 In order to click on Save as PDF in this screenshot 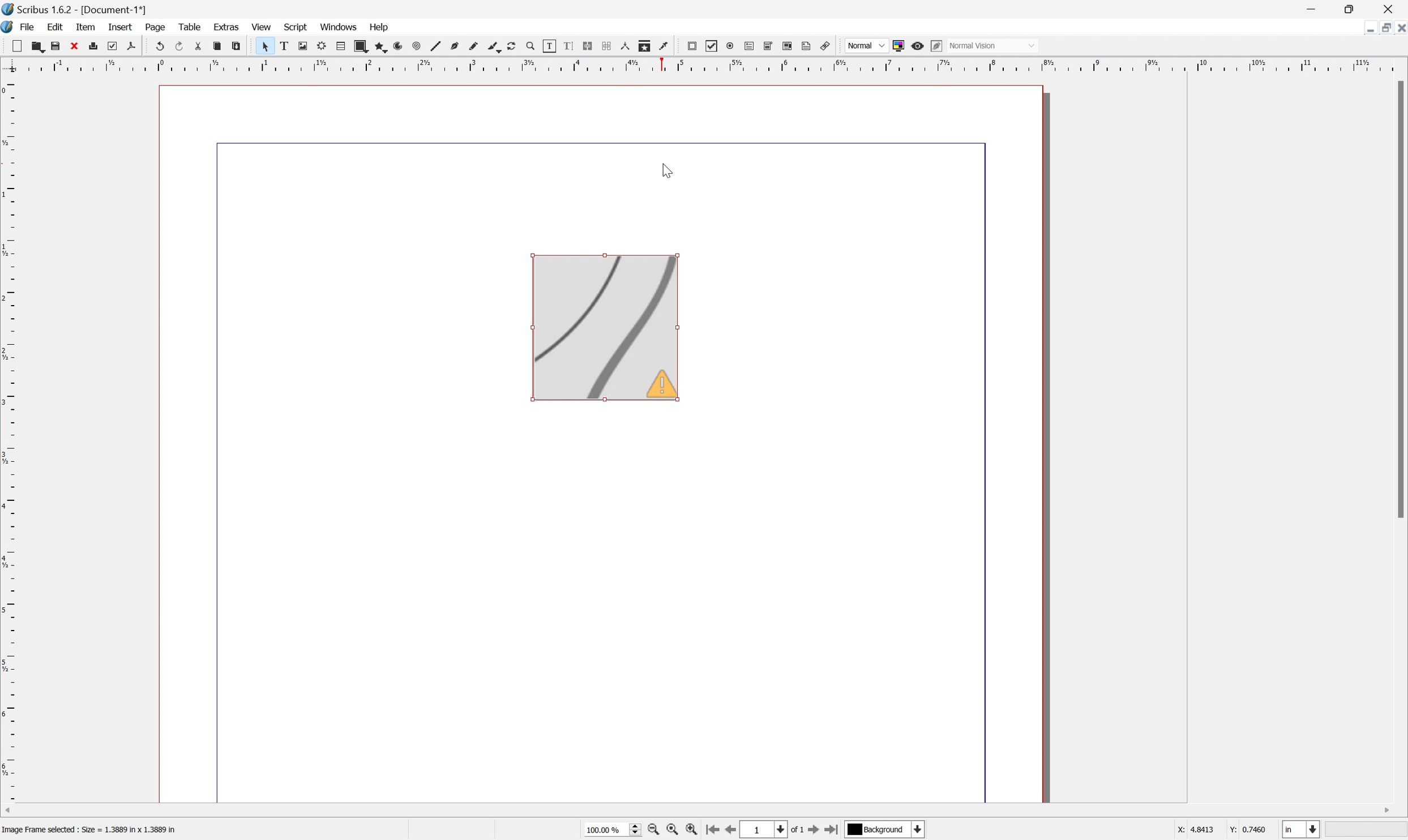, I will do `click(137, 46)`.